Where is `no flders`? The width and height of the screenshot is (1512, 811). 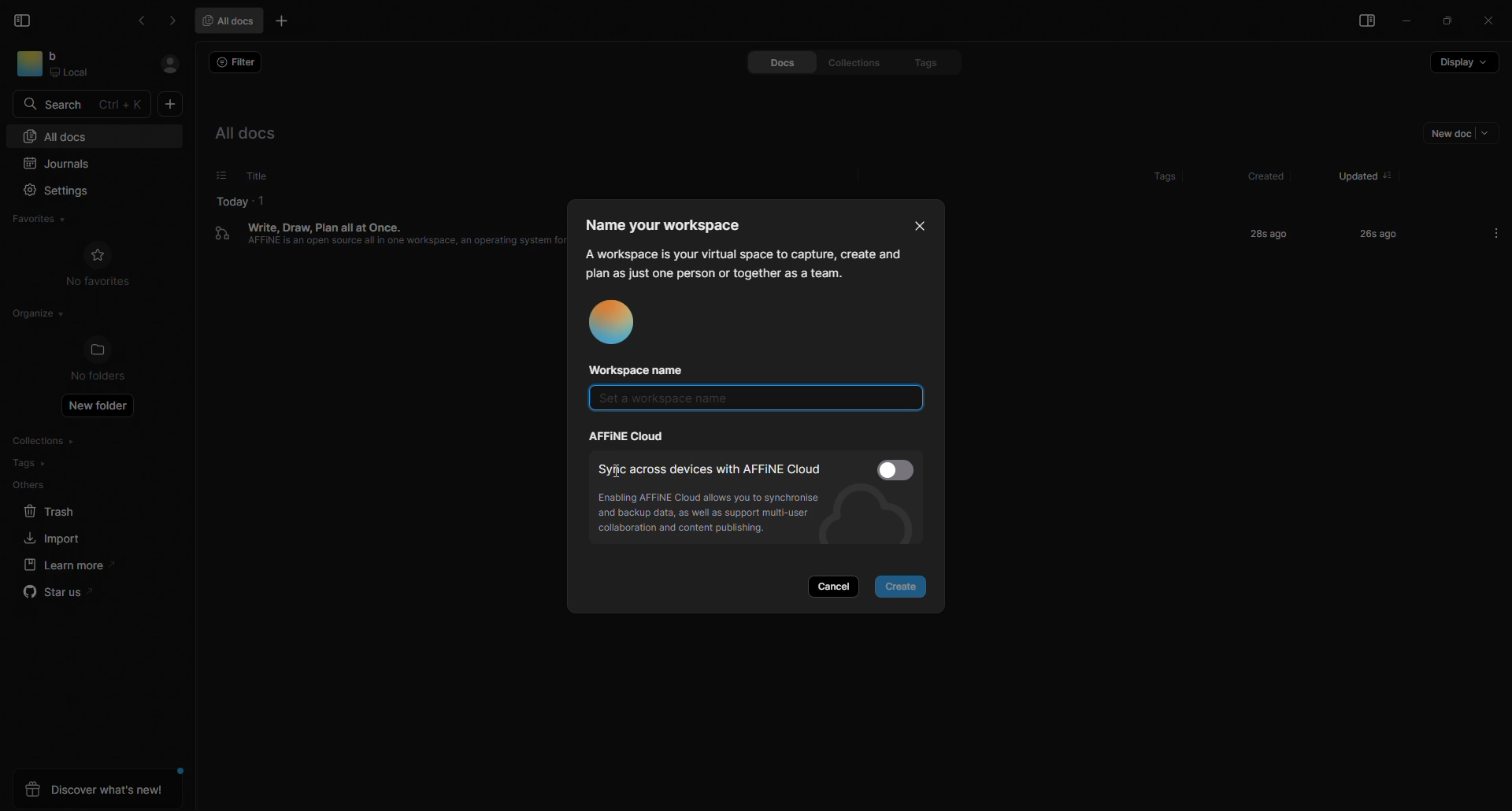
no flders is located at coordinates (107, 361).